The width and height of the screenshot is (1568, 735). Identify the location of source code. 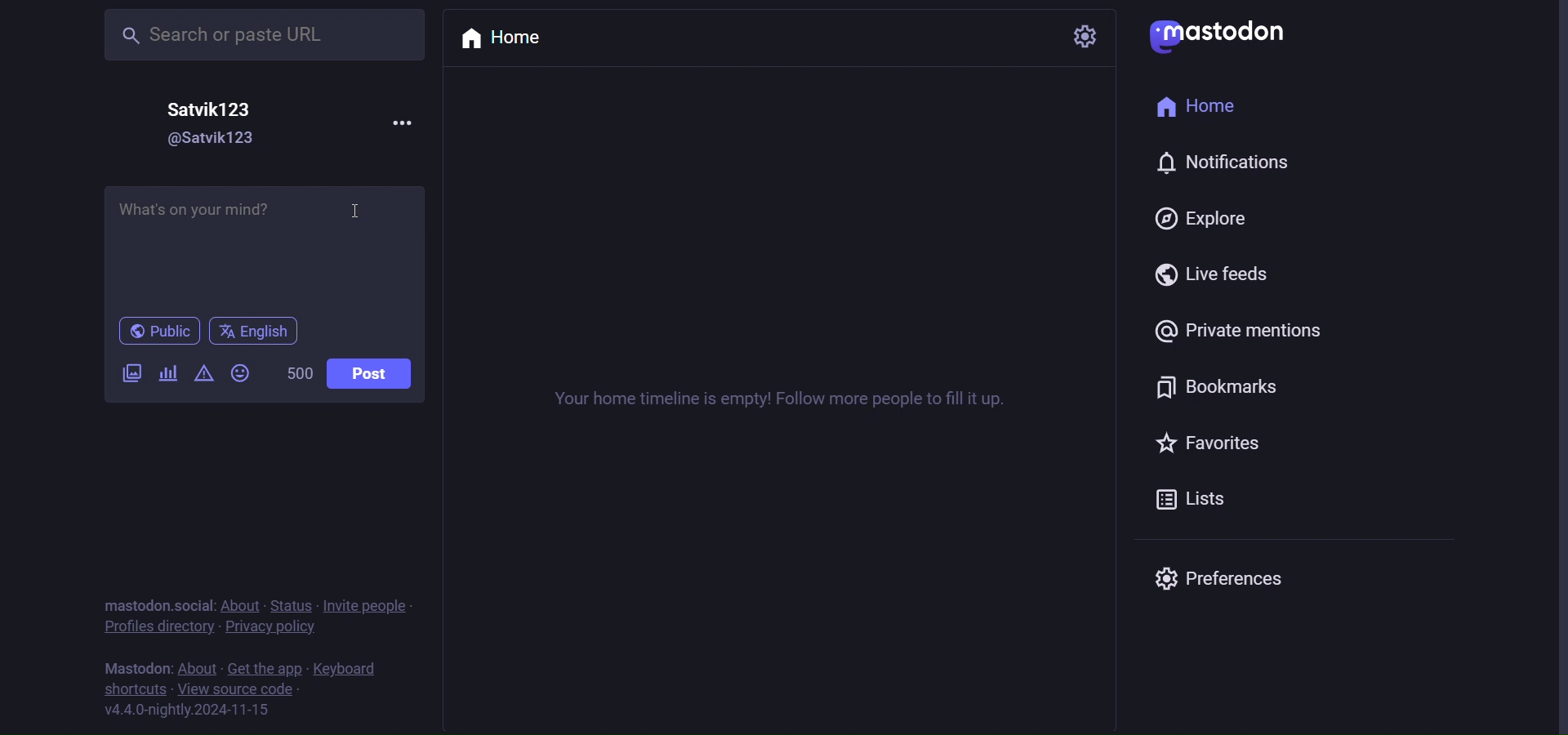
(238, 691).